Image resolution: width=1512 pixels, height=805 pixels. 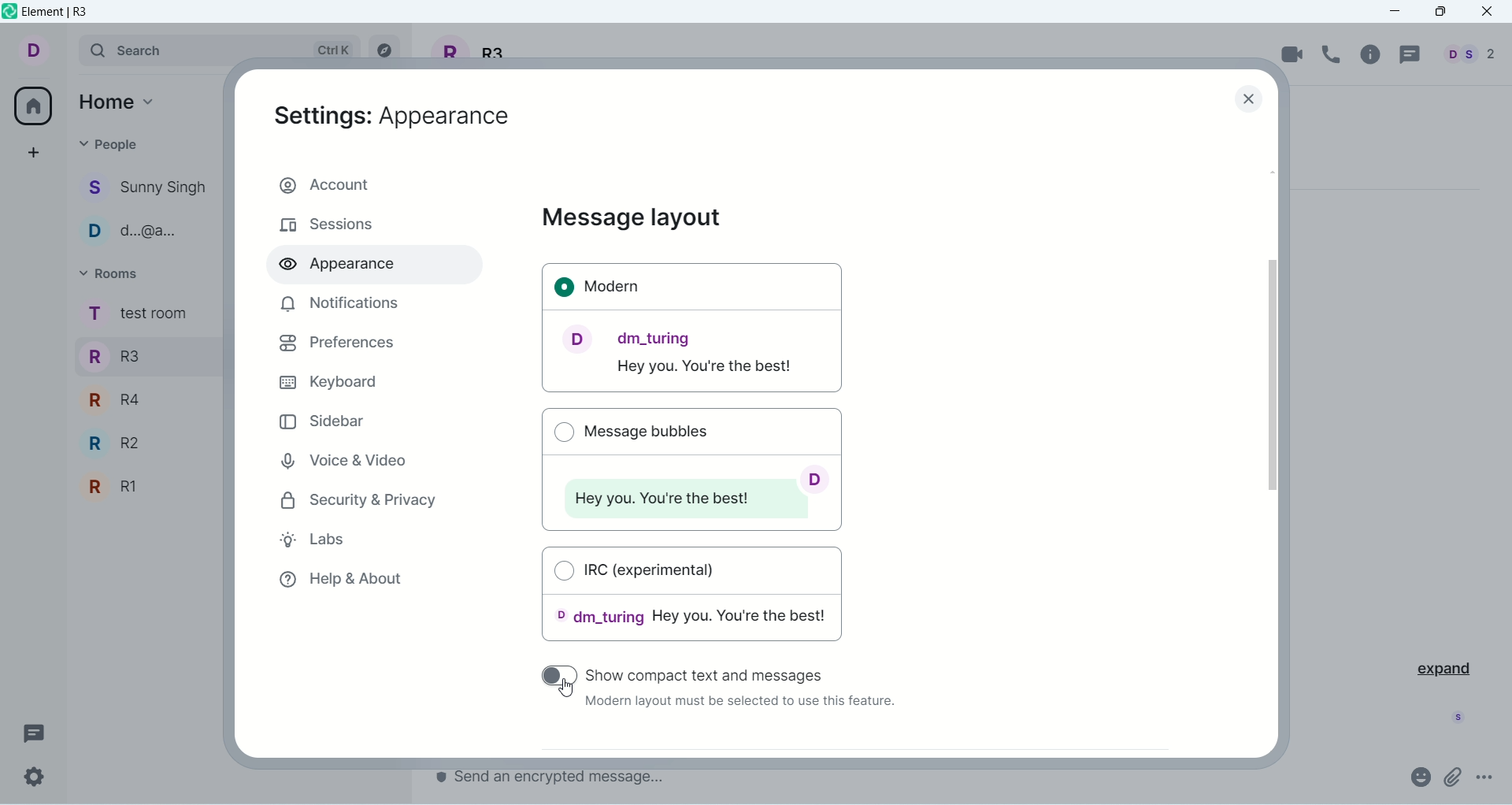 What do you see at coordinates (1251, 101) in the screenshot?
I see `Close` at bounding box center [1251, 101].